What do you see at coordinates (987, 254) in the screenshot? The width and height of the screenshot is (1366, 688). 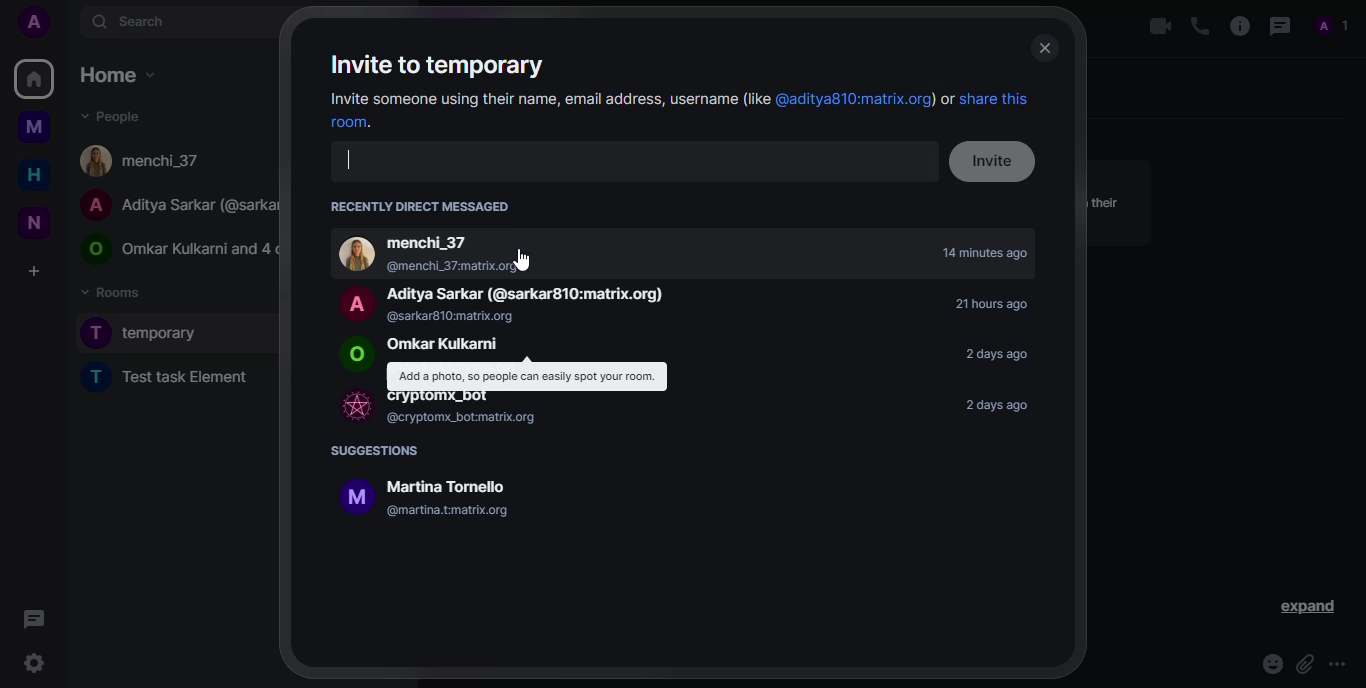 I see `14 minutes ago` at bounding box center [987, 254].